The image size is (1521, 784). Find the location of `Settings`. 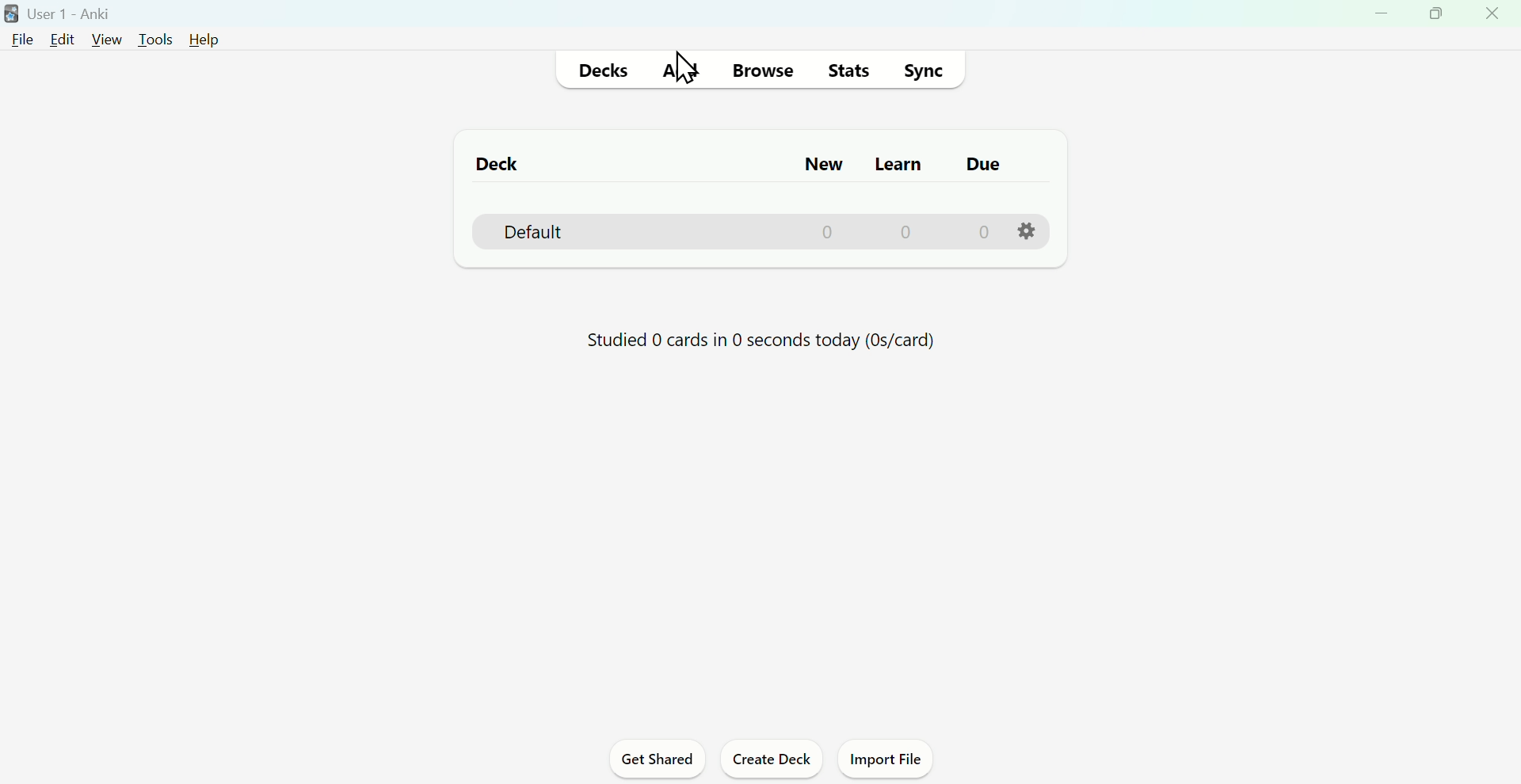

Settings is located at coordinates (1027, 232).